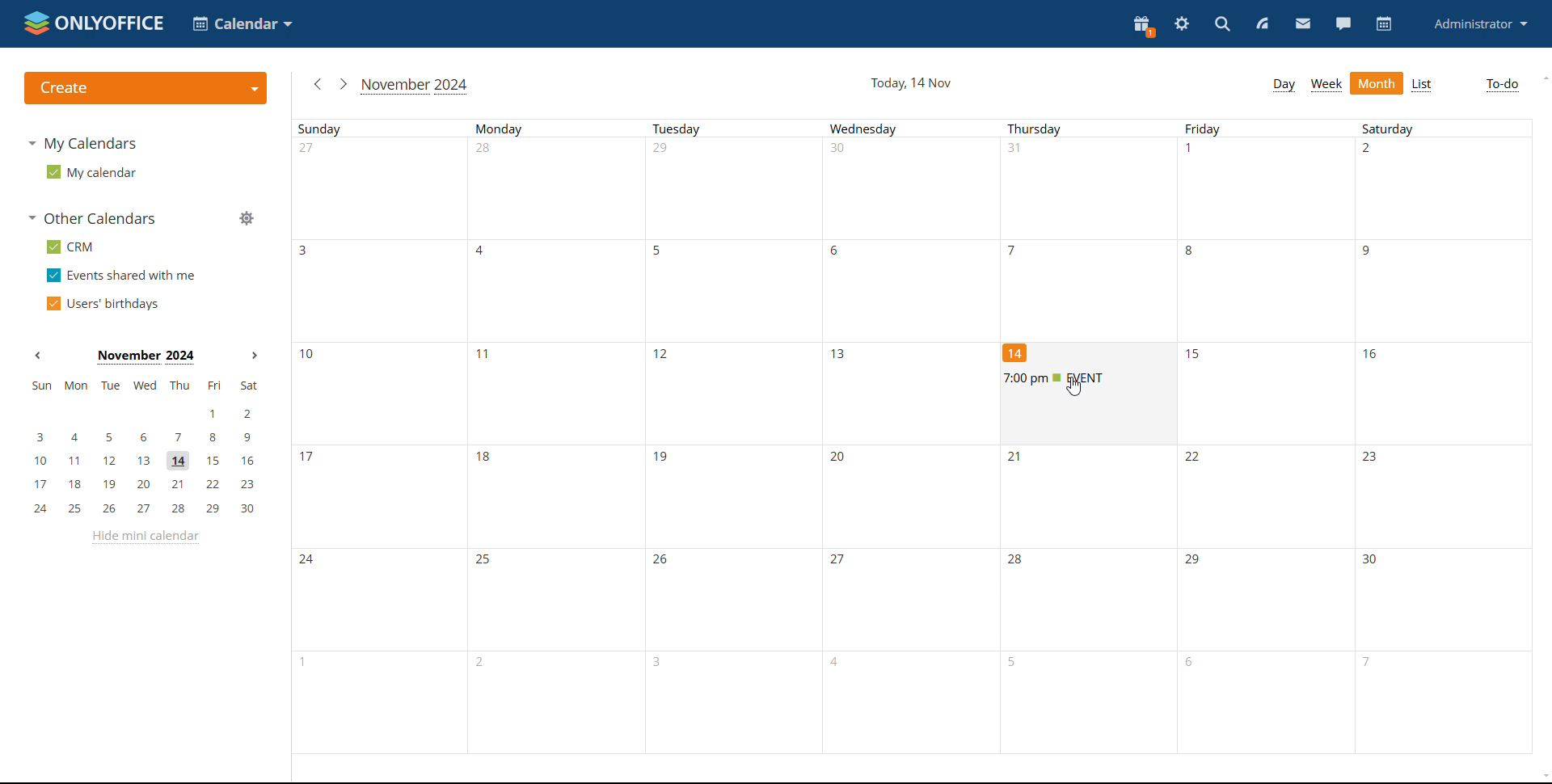 The width and height of the screenshot is (1552, 784). What do you see at coordinates (70, 247) in the screenshot?
I see `crm` at bounding box center [70, 247].